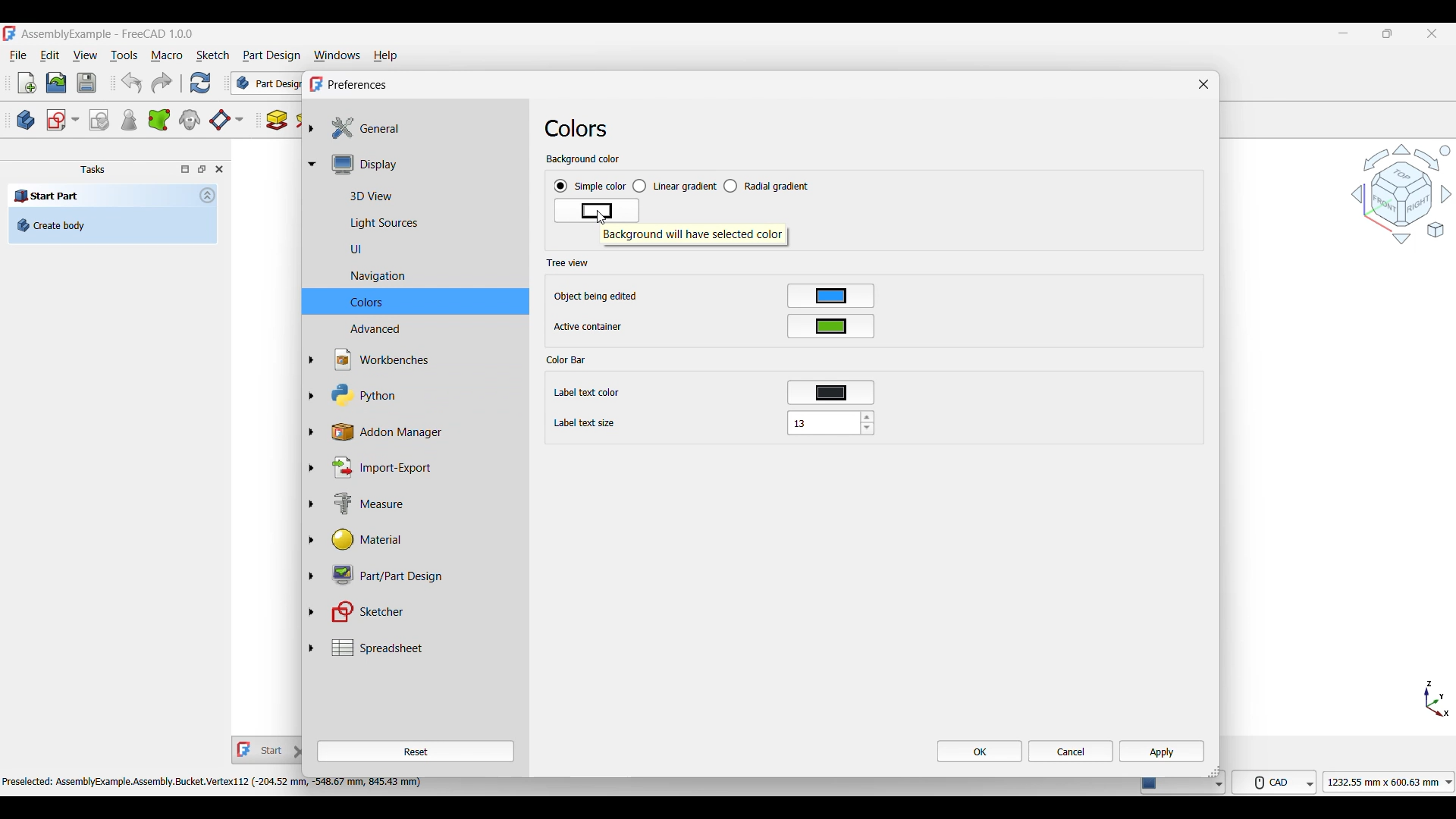  What do you see at coordinates (597, 211) in the screenshot?
I see `Change color options` at bounding box center [597, 211].